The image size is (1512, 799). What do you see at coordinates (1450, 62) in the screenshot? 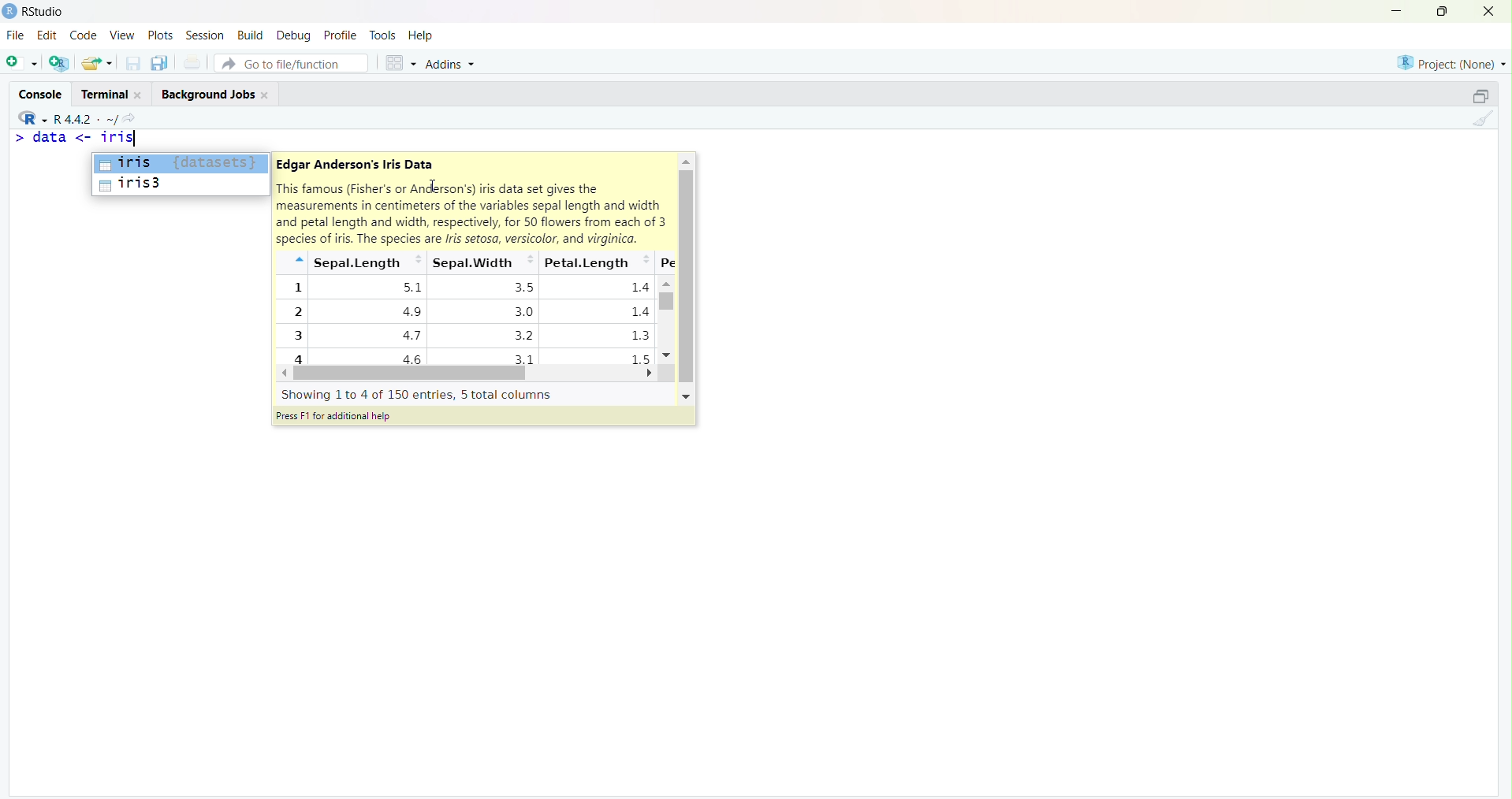
I see `Project (None)` at bounding box center [1450, 62].